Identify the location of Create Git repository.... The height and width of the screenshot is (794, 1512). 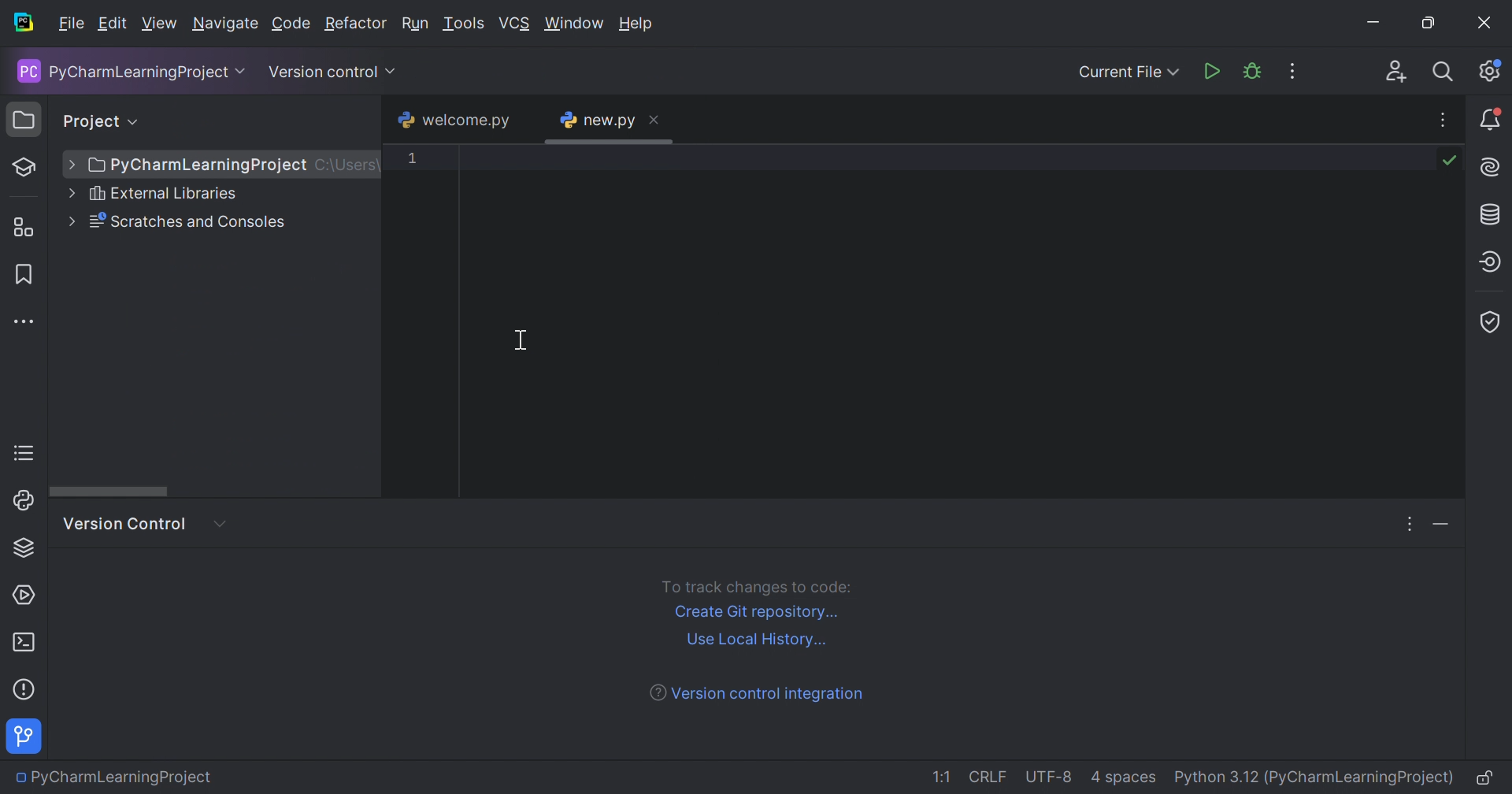
(759, 613).